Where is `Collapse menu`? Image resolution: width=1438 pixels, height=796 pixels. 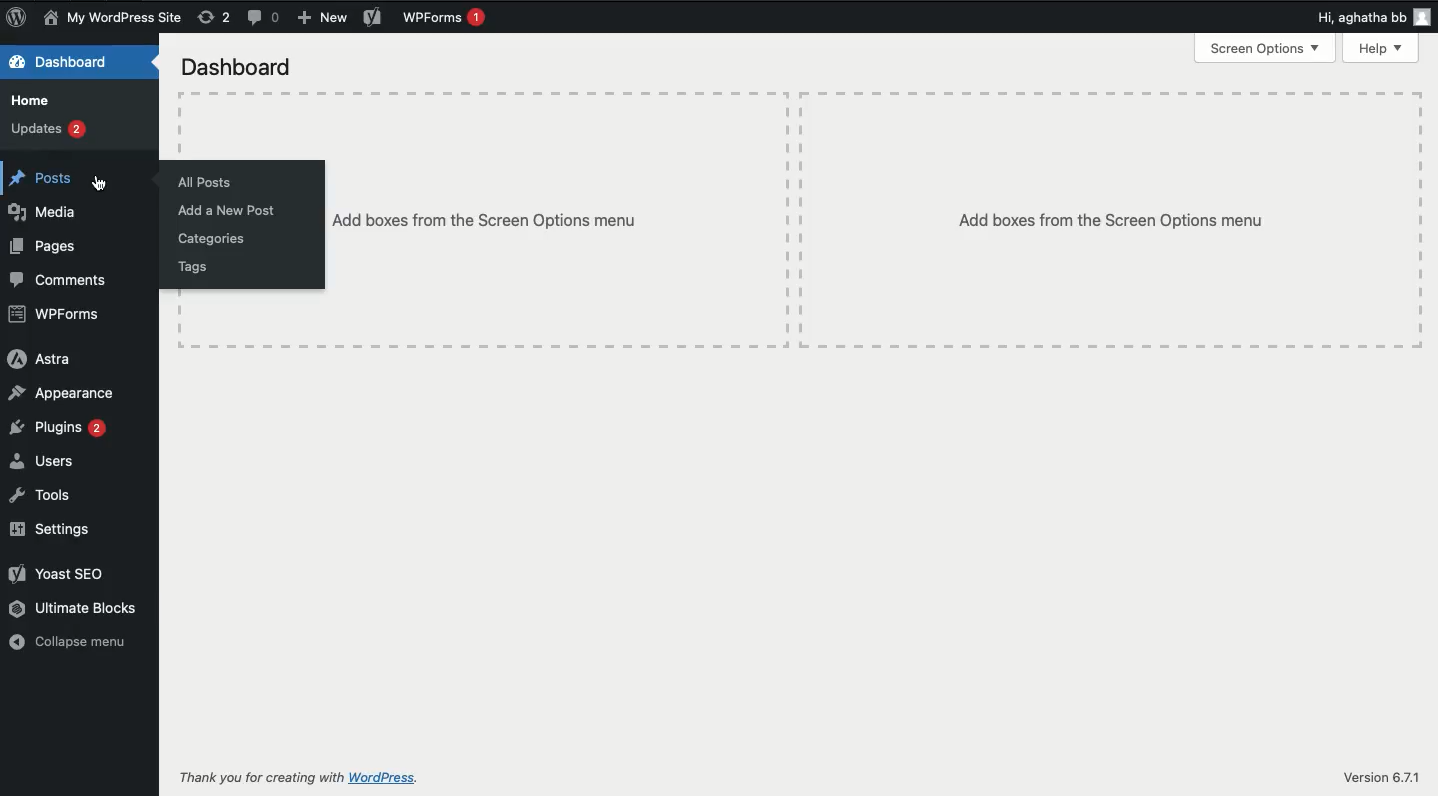
Collapse menu is located at coordinates (68, 641).